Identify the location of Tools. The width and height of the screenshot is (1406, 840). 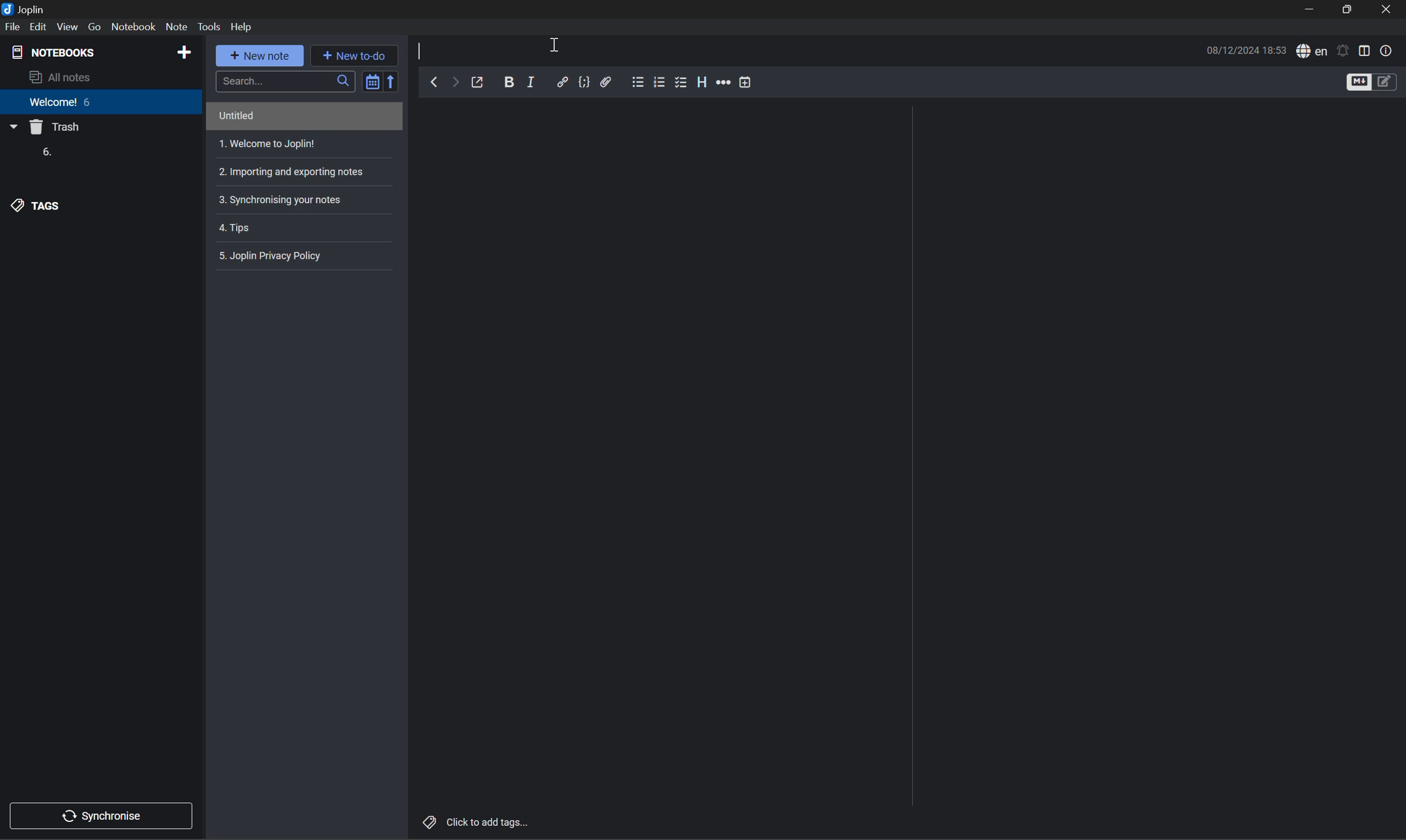
(211, 27).